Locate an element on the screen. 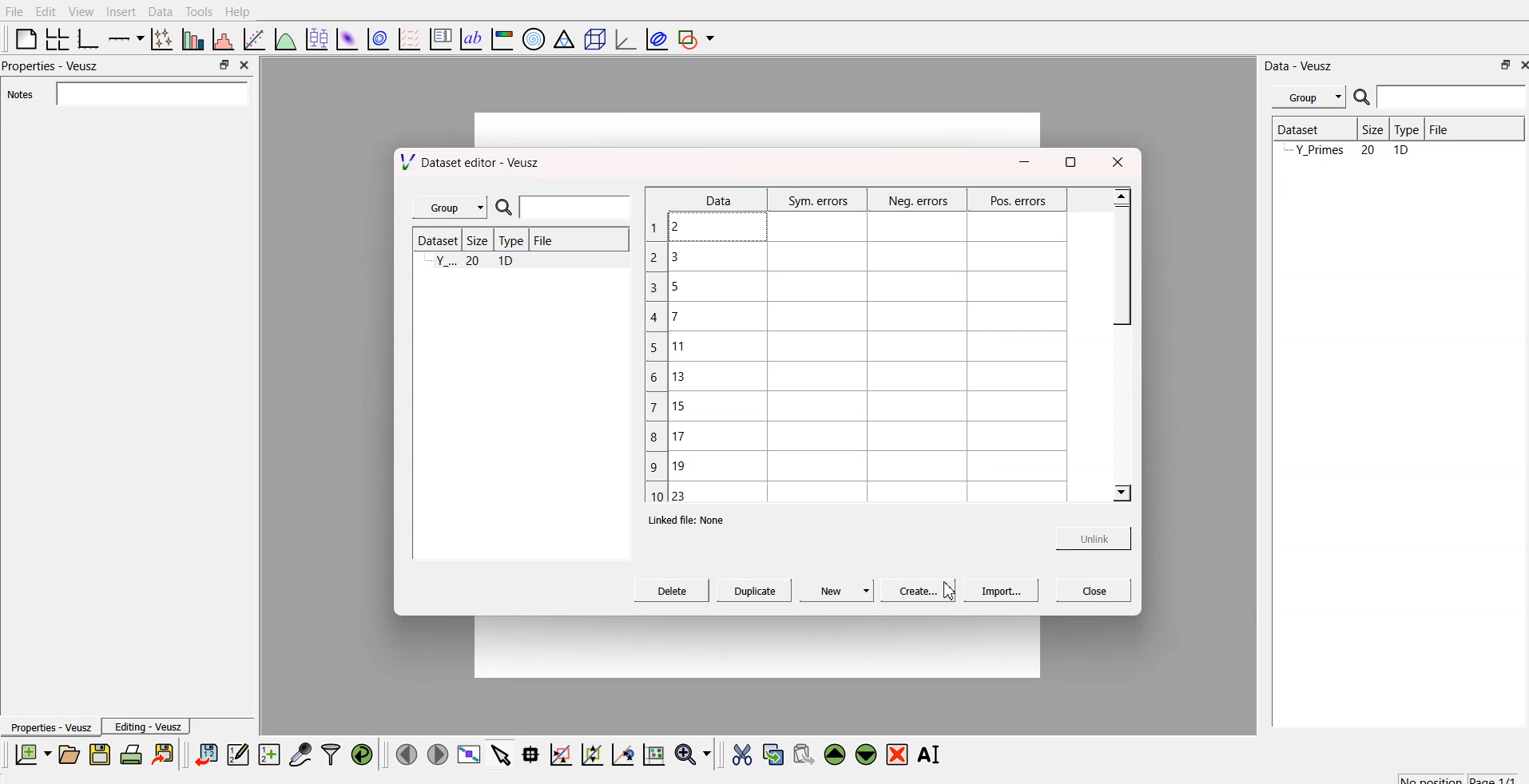  move to the next page is located at coordinates (436, 754).